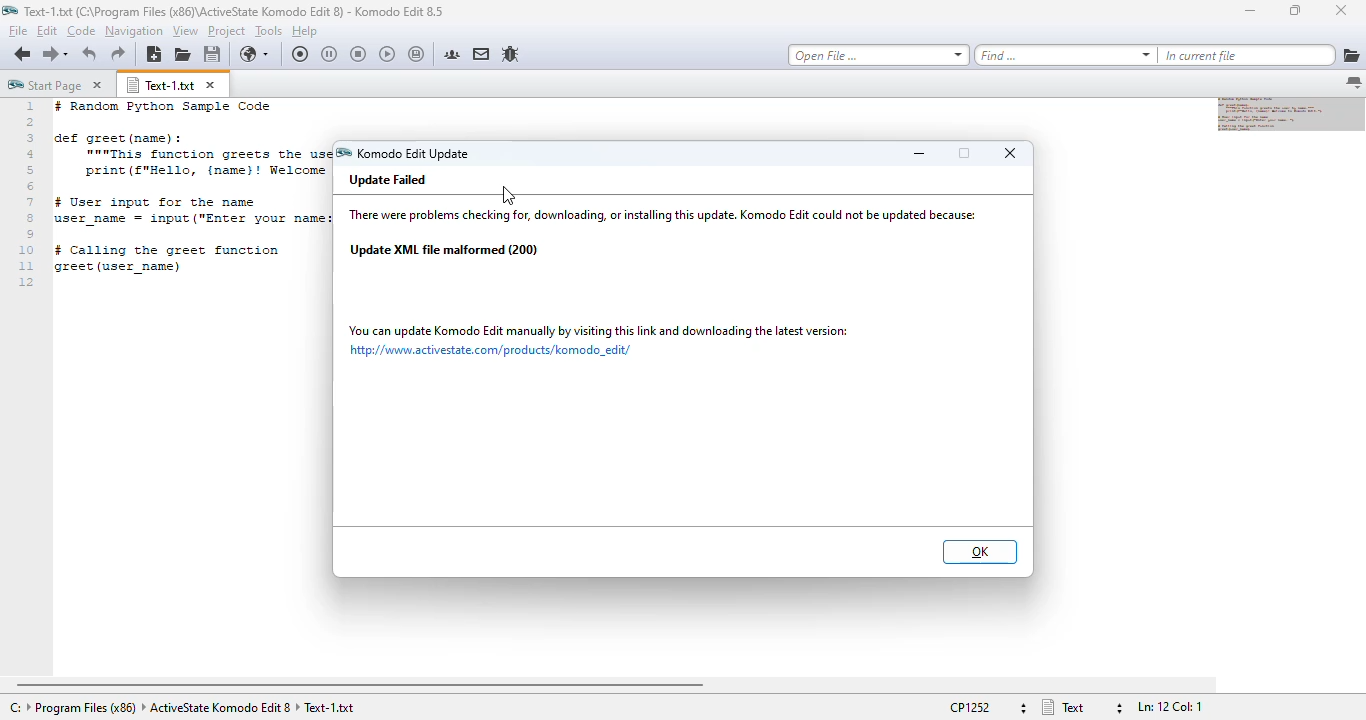 Image resolution: width=1366 pixels, height=720 pixels. I want to click on file position, so click(1170, 707).